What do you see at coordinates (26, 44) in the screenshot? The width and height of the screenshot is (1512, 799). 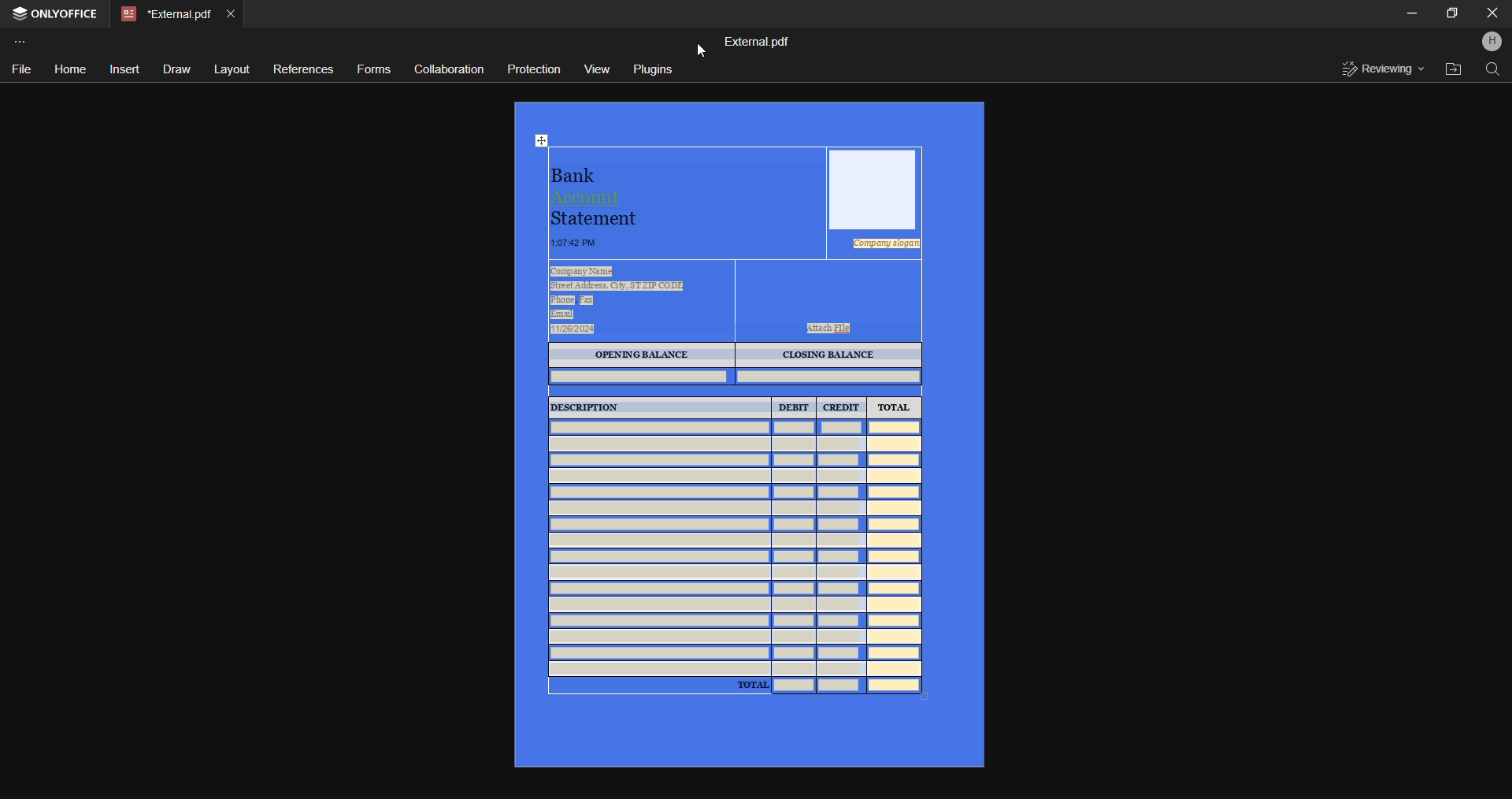 I see `Customize Toolbar` at bounding box center [26, 44].